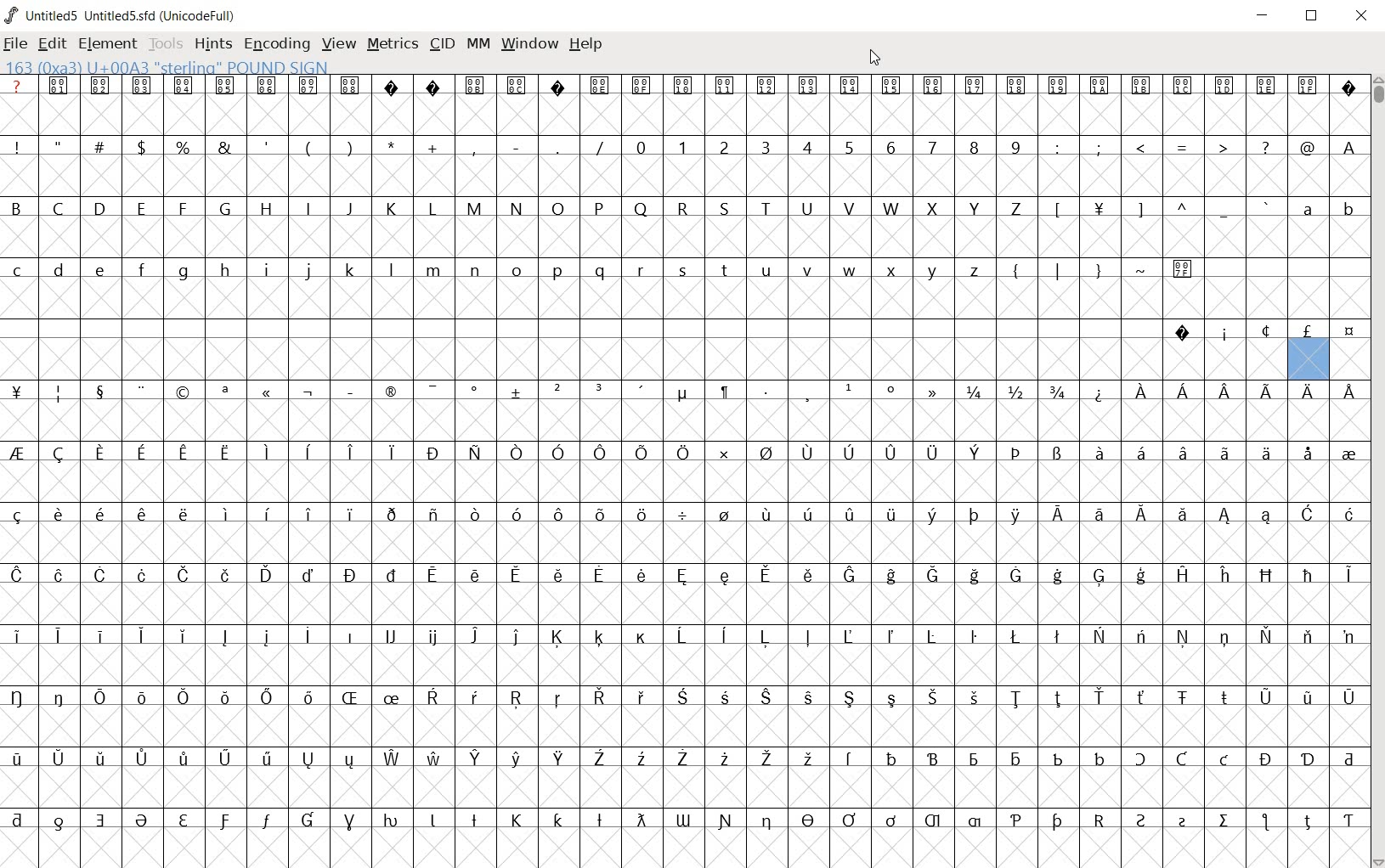 The width and height of the screenshot is (1385, 868). Describe the element at coordinates (1015, 758) in the screenshot. I see `Symbol` at that location.